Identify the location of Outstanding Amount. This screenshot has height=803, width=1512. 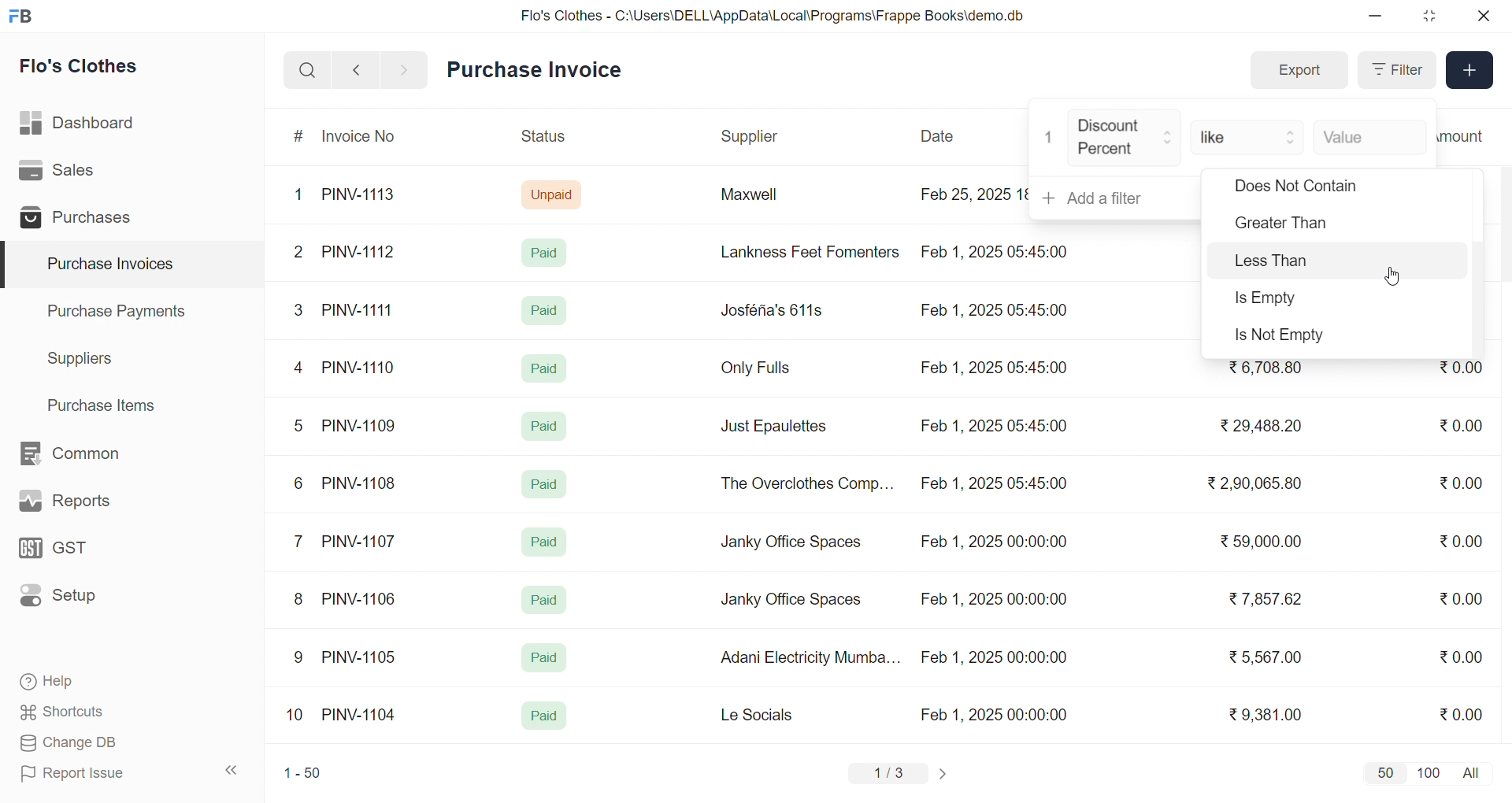
(1469, 135).